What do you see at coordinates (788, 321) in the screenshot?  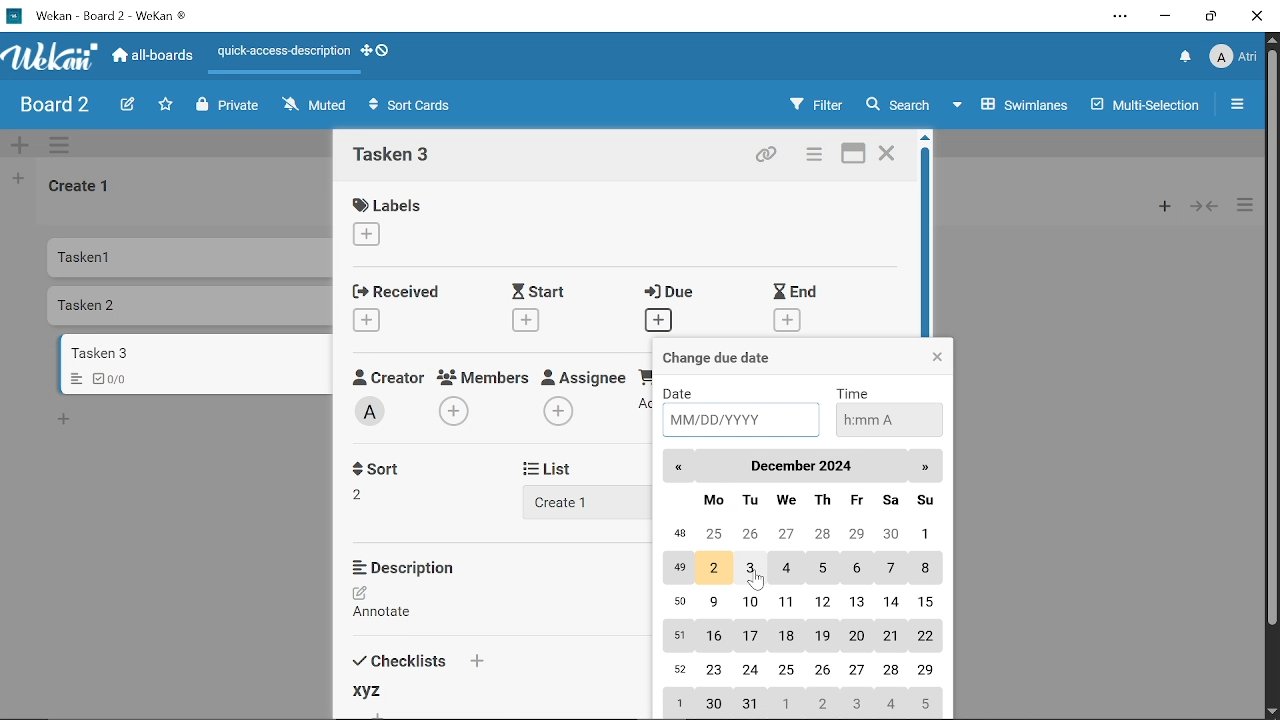 I see `Add end date` at bounding box center [788, 321].